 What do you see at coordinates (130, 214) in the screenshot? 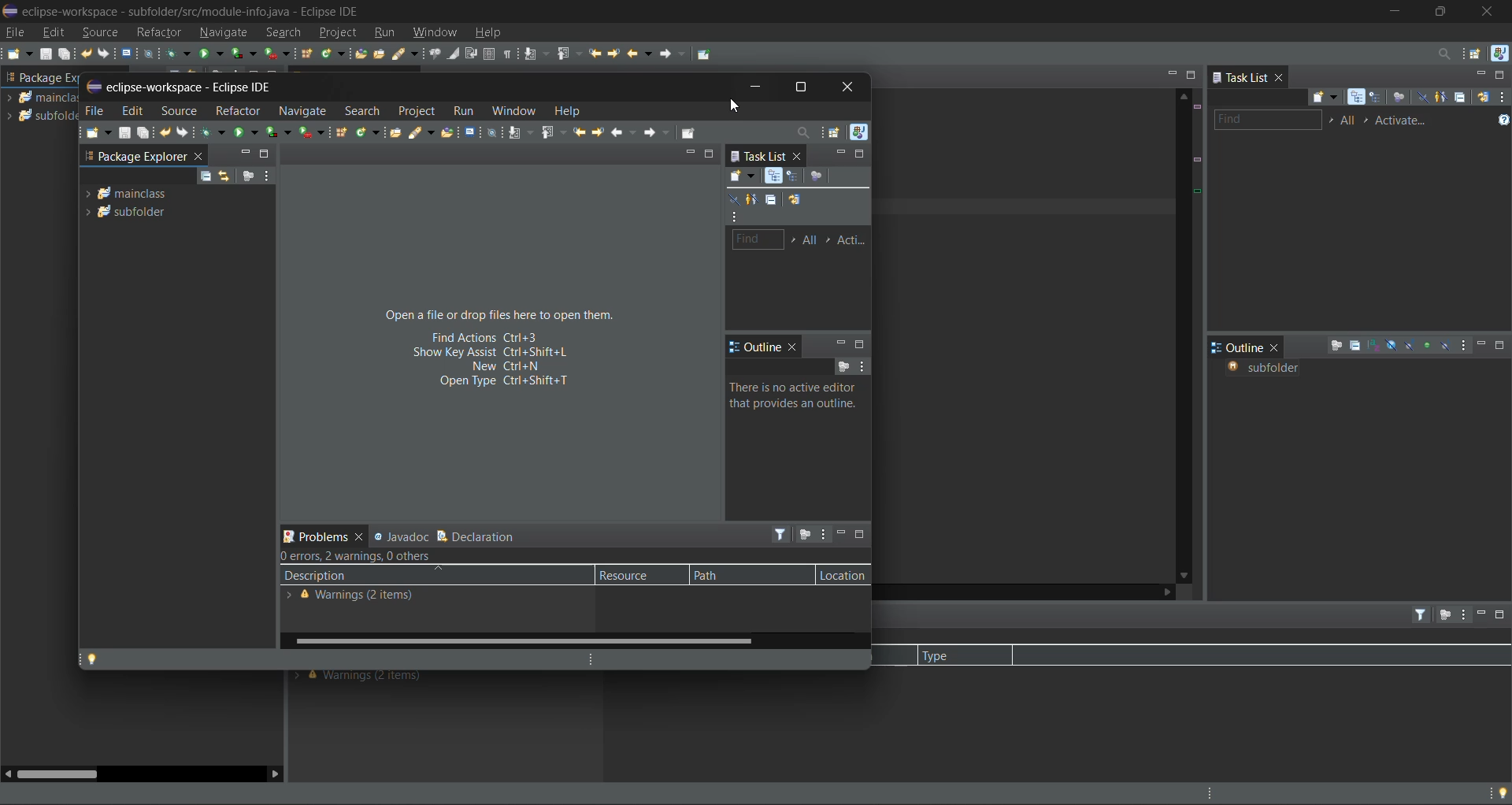
I see `module 2` at bounding box center [130, 214].